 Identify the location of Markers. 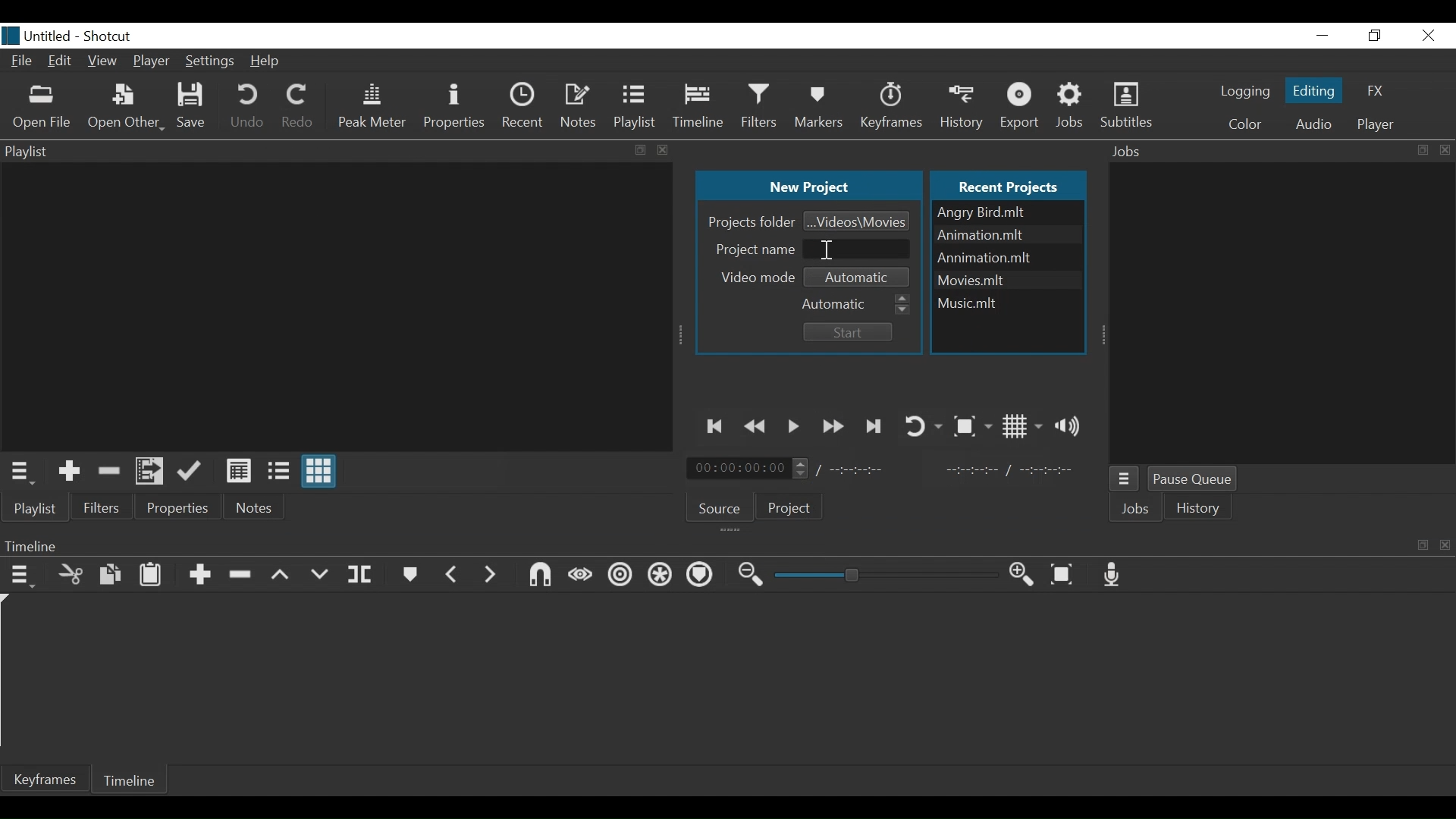
(821, 106).